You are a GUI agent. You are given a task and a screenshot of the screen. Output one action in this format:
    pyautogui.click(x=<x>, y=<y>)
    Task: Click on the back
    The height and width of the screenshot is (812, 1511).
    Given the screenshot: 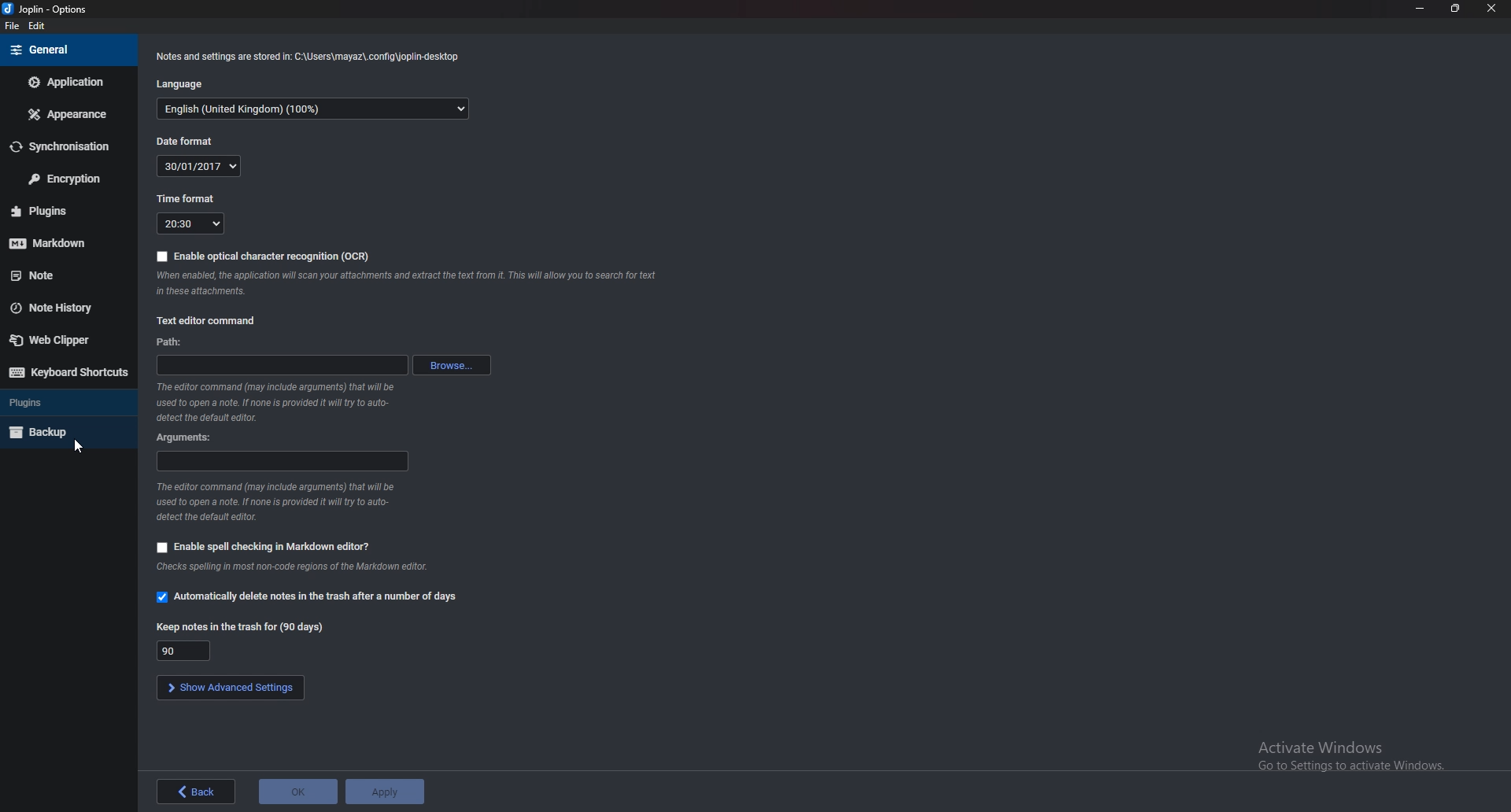 What is the action you would take?
    pyautogui.click(x=196, y=792)
    